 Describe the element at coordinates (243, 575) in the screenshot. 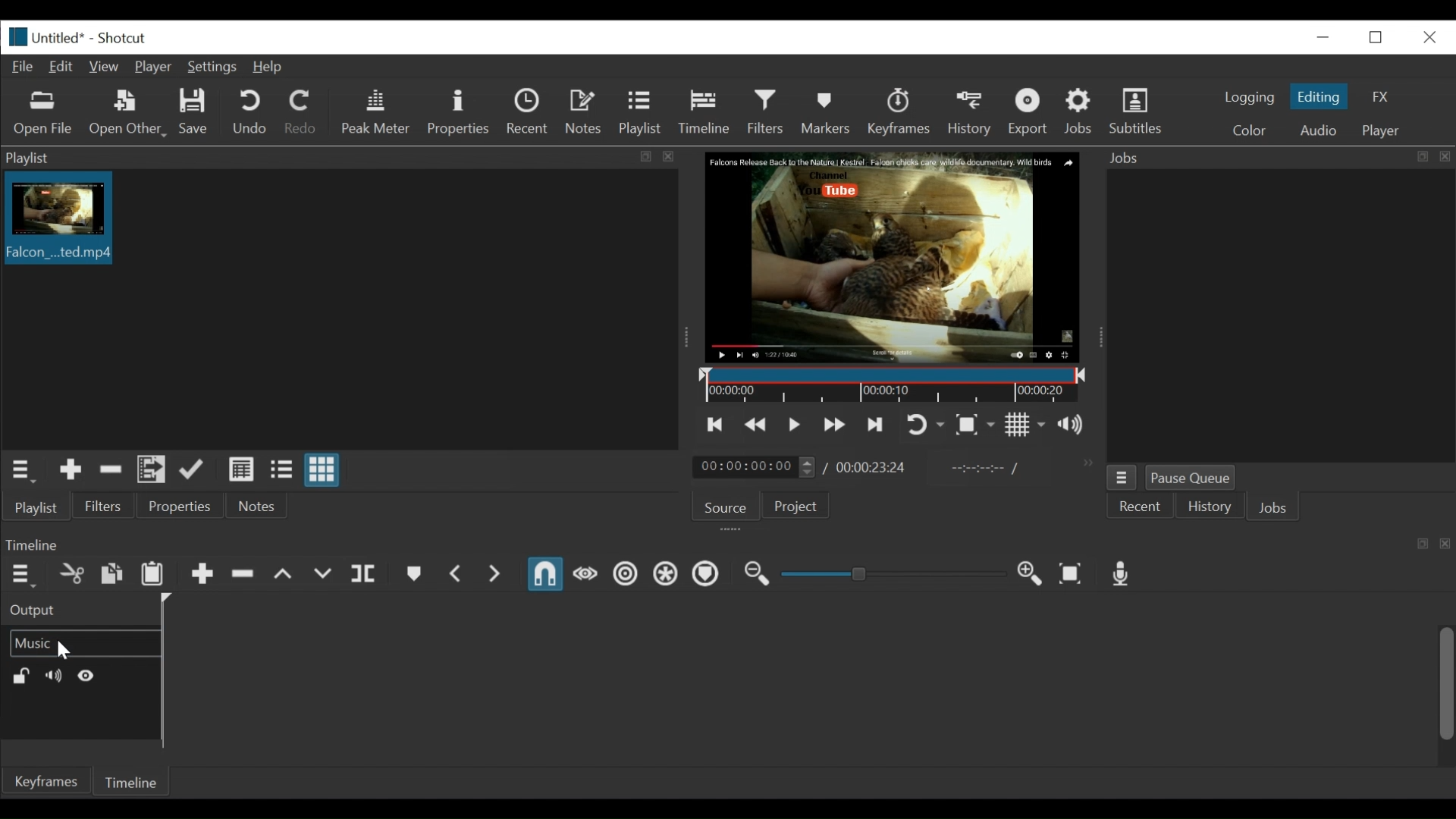

I see `Ripple delete` at that location.